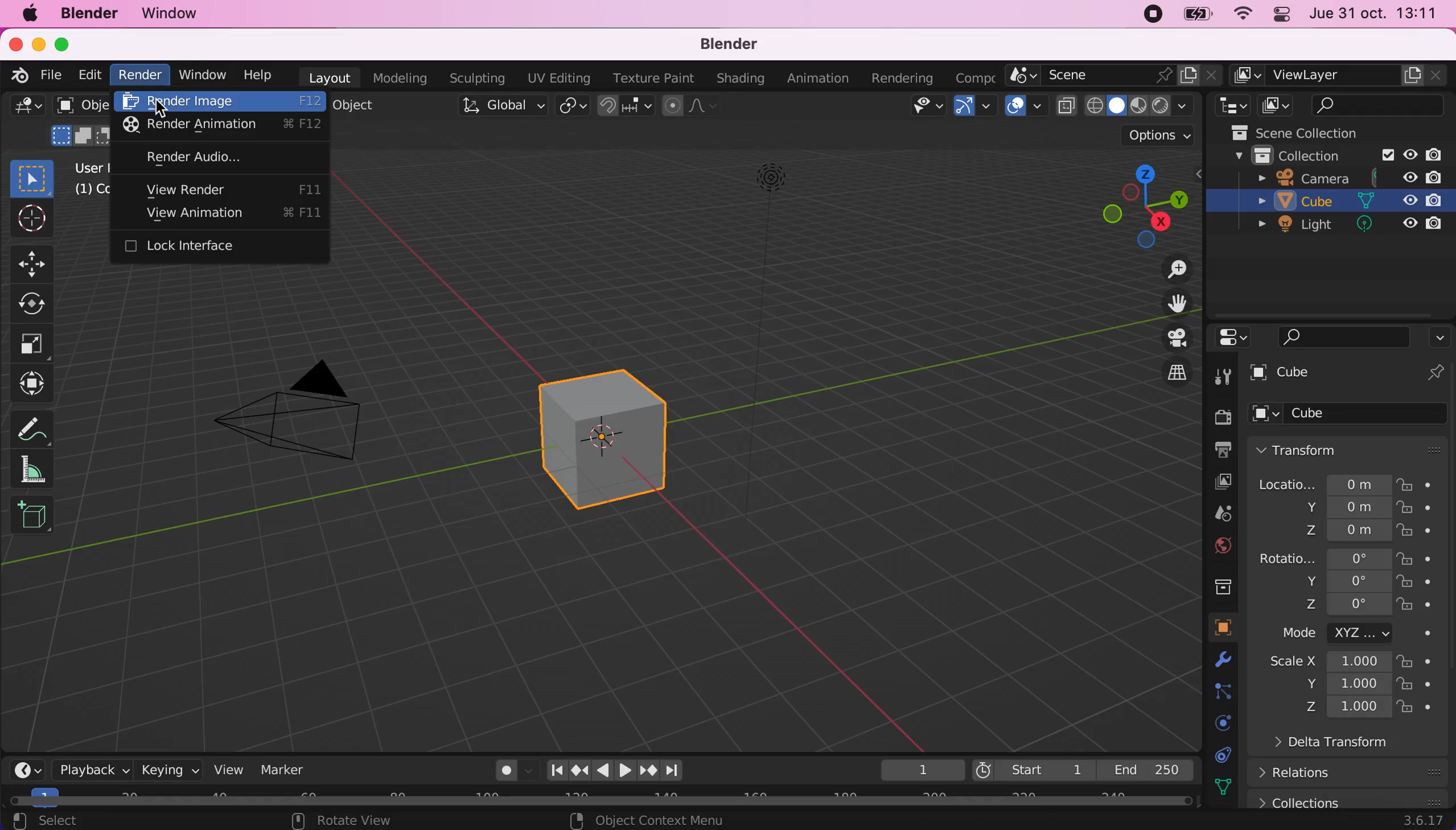  Describe the element at coordinates (1220, 451) in the screenshot. I see `output` at that location.